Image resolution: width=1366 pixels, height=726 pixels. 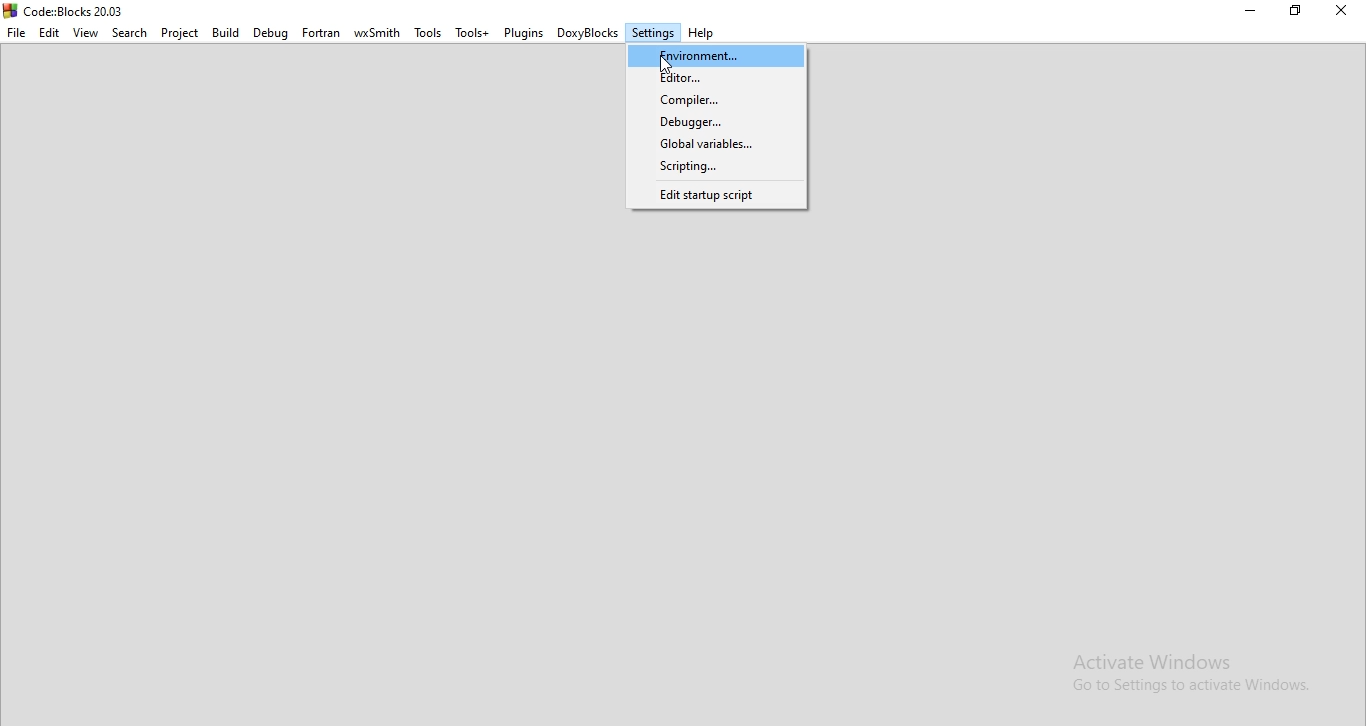 I want to click on Code :: Blocks 20.03, so click(x=67, y=10).